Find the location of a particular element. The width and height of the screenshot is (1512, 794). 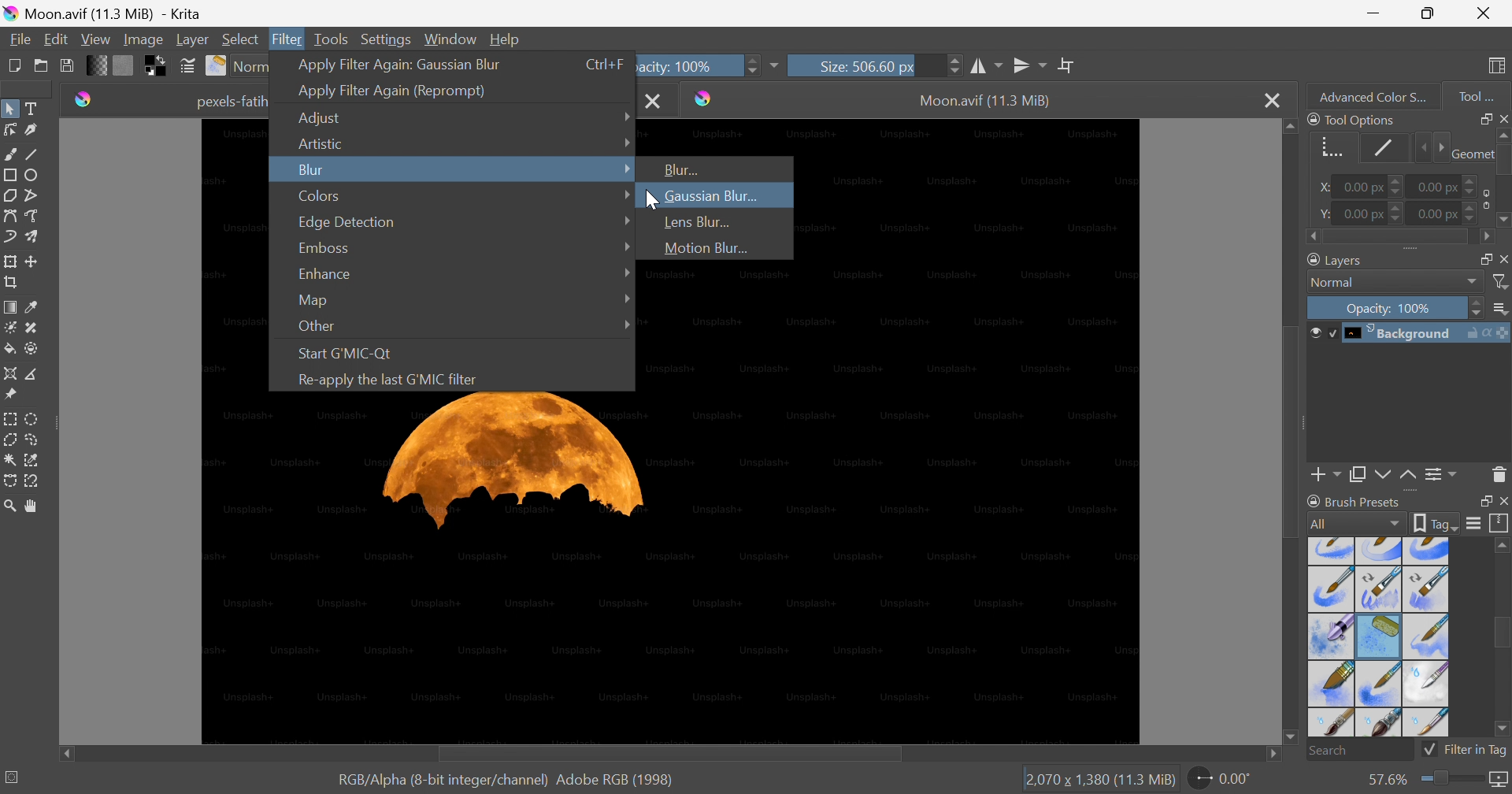

Background is located at coordinates (1408, 334).